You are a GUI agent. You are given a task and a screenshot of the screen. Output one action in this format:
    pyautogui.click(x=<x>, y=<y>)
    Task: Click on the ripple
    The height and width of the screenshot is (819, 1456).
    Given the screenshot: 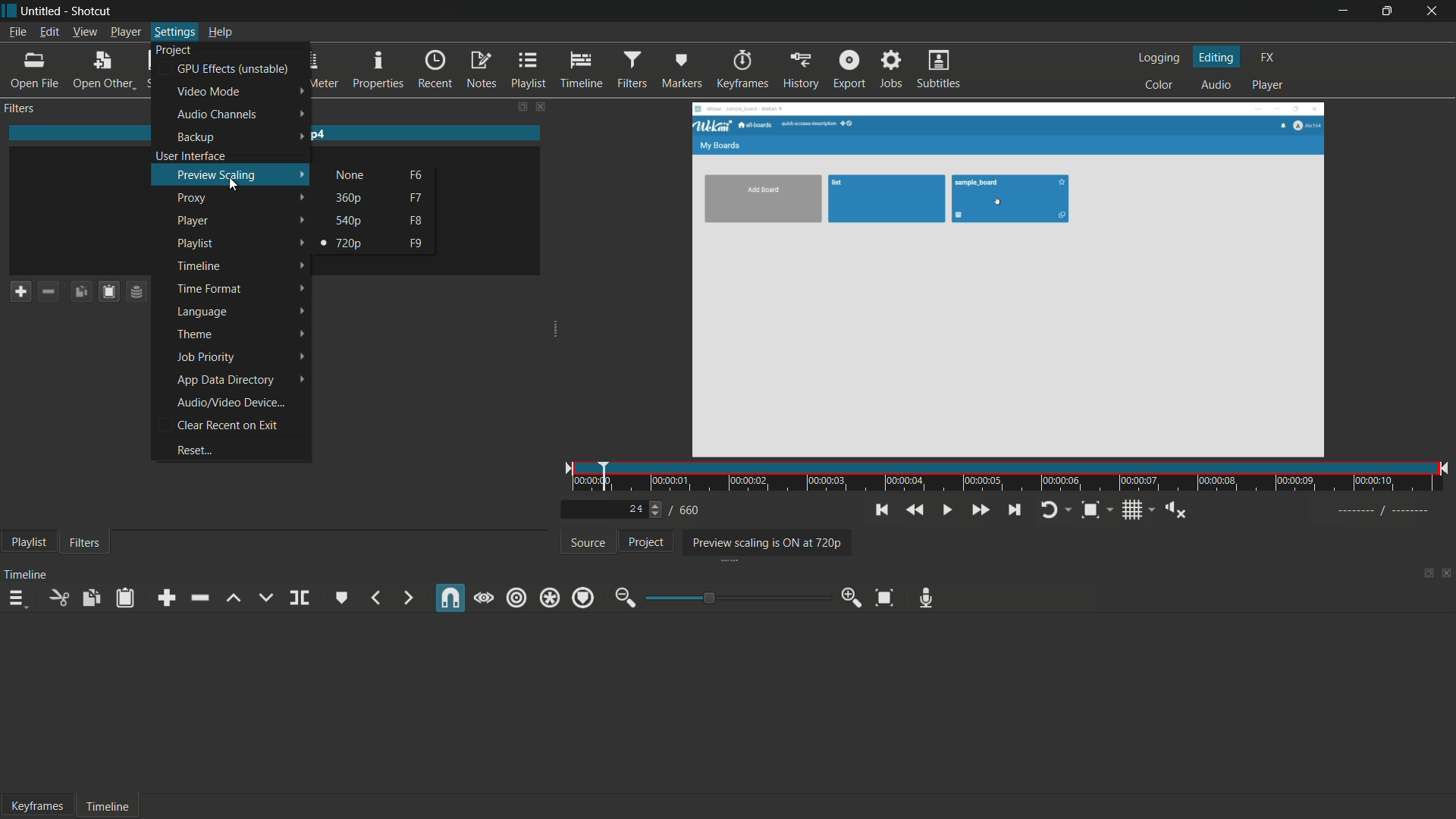 What is the action you would take?
    pyautogui.click(x=515, y=598)
    